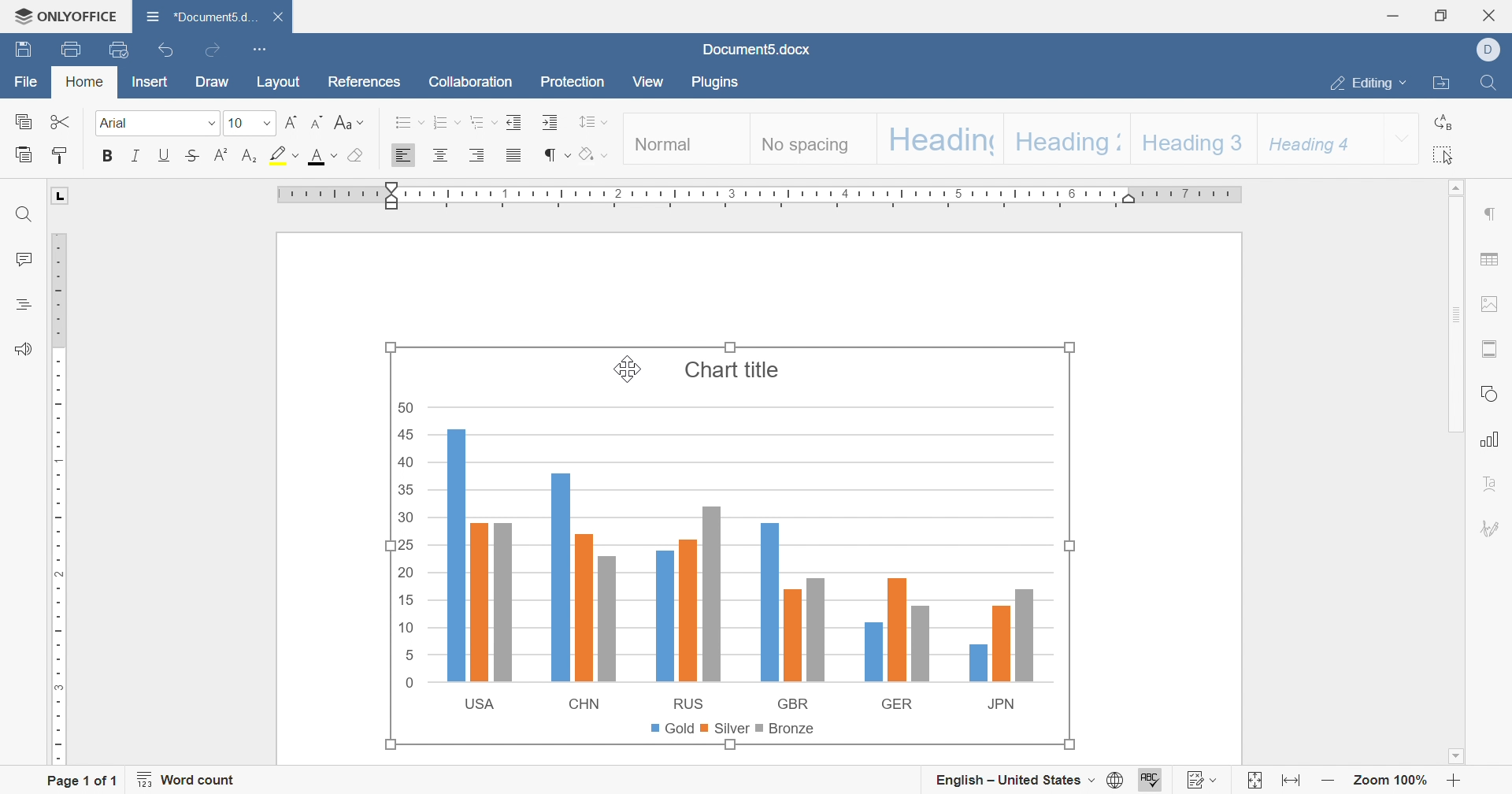 This screenshot has height=794, width=1512. I want to click on plugins, so click(718, 82).